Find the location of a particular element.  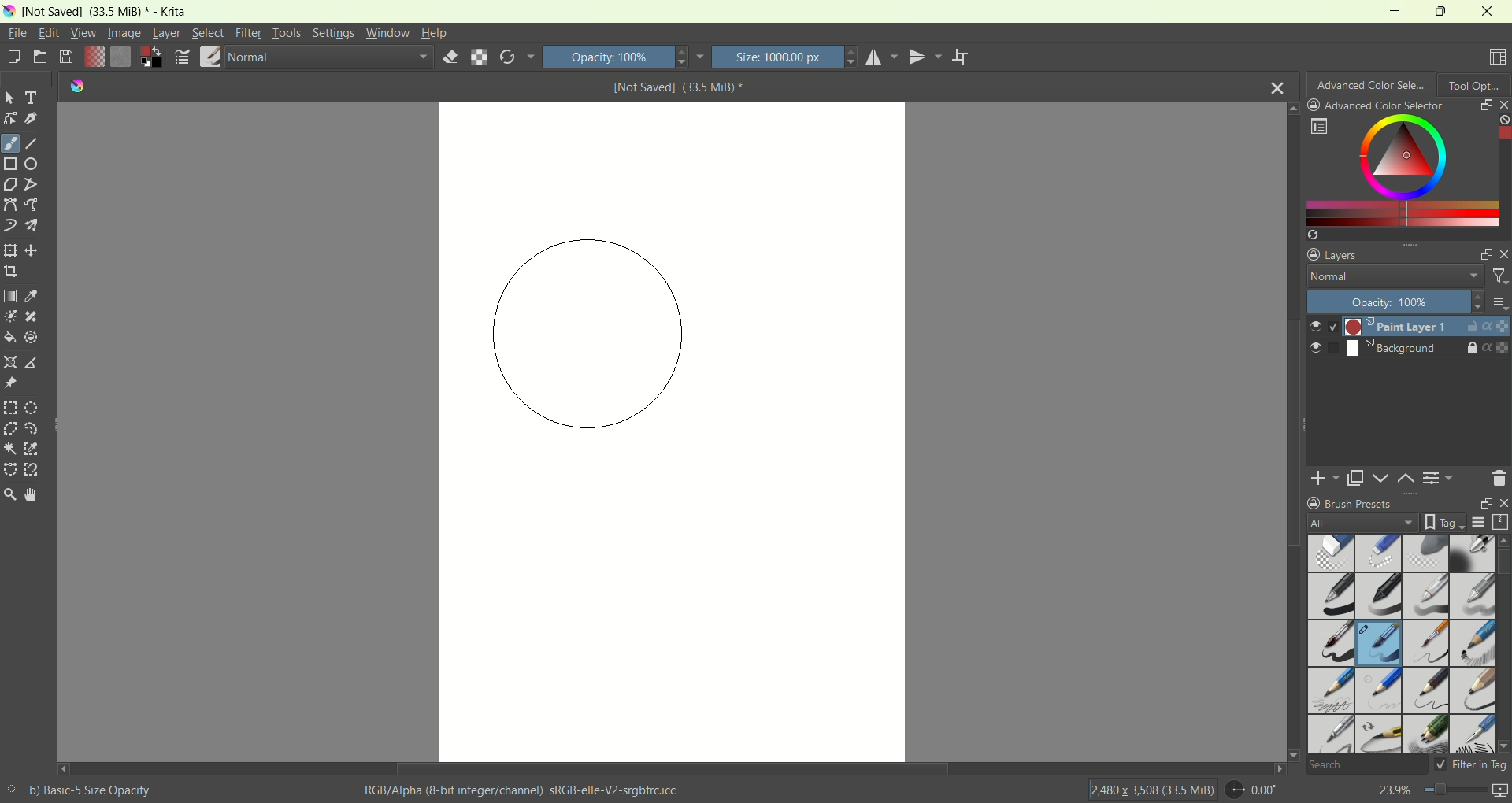

vertical scroll bar is located at coordinates (1503, 643).